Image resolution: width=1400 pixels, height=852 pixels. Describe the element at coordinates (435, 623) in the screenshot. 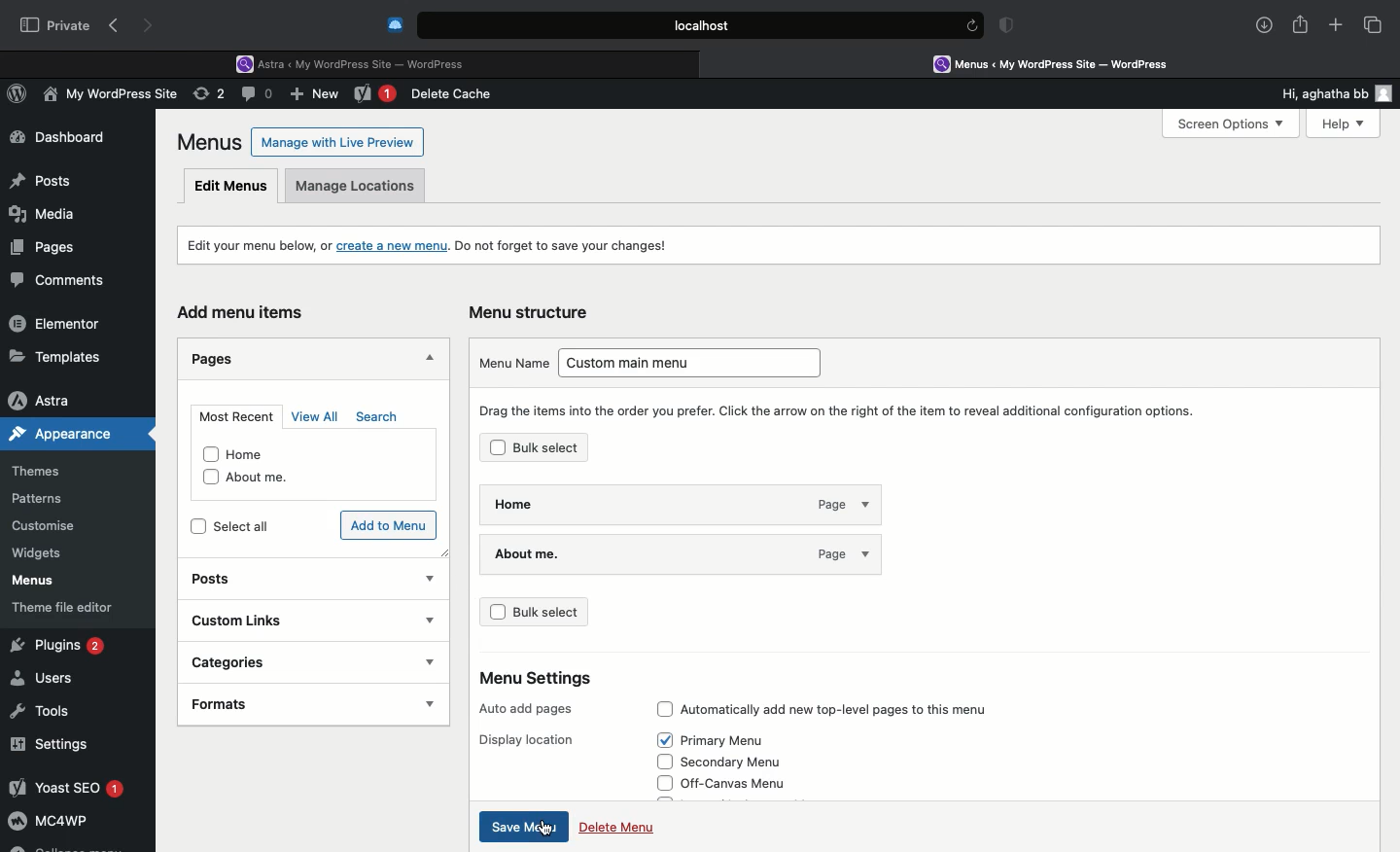

I see `show` at that location.